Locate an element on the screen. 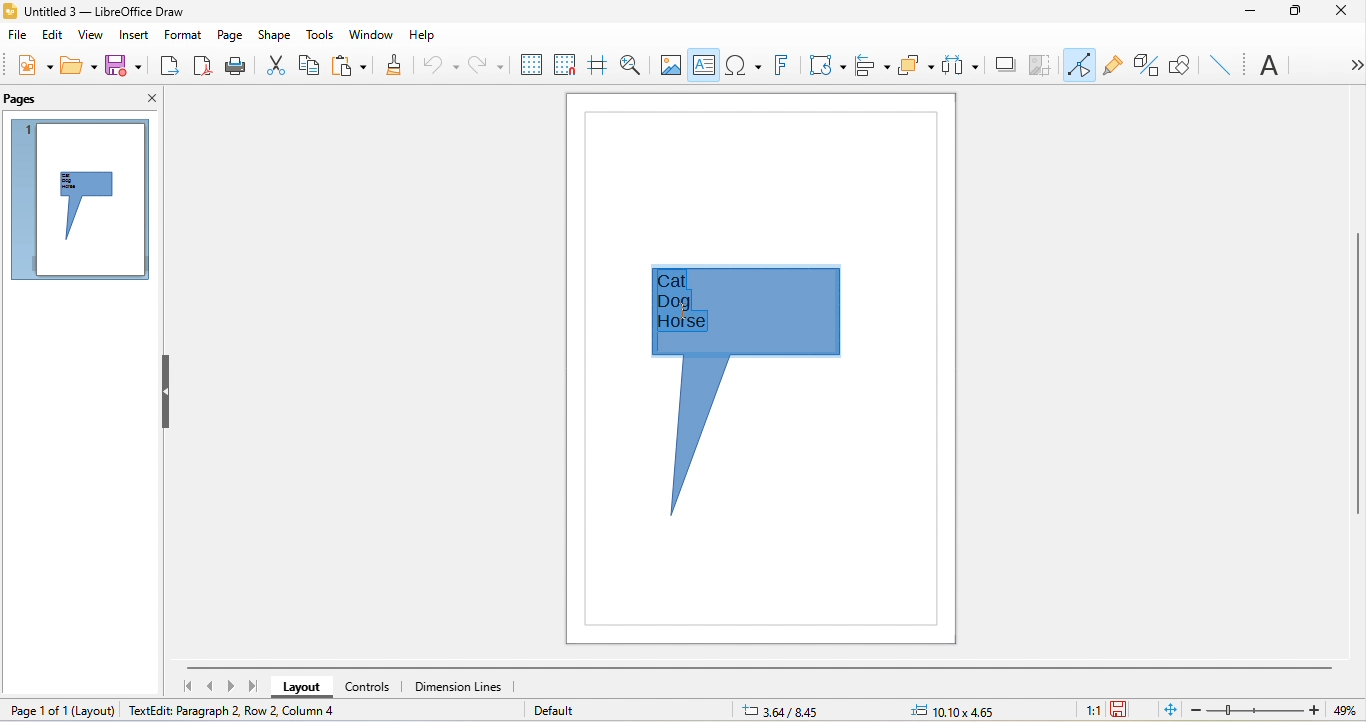 This screenshot has height=722, width=1366. hide is located at coordinates (163, 392).